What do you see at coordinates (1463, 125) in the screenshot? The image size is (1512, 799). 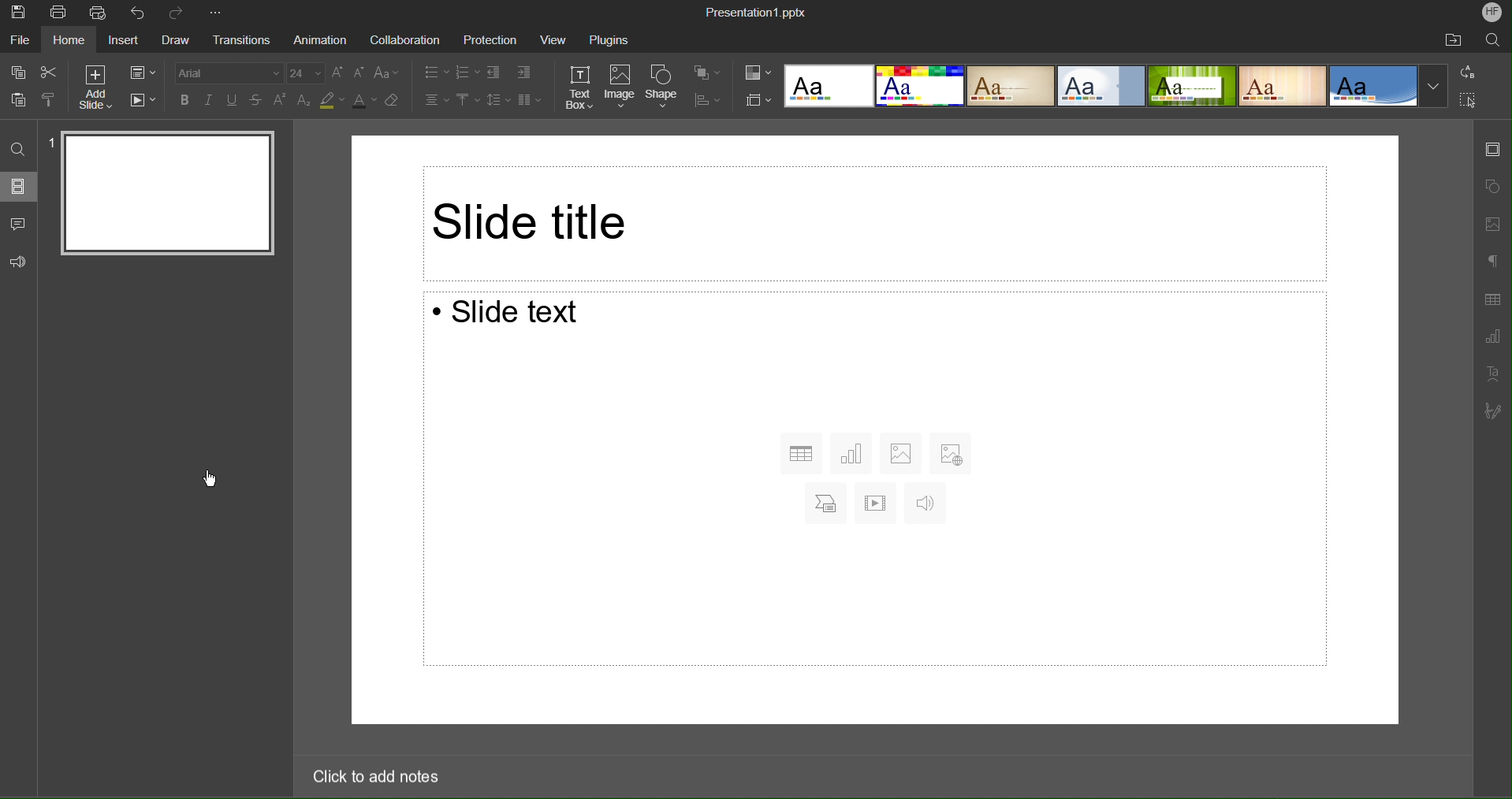 I see `scroll up` at bounding box center [1463, 125].